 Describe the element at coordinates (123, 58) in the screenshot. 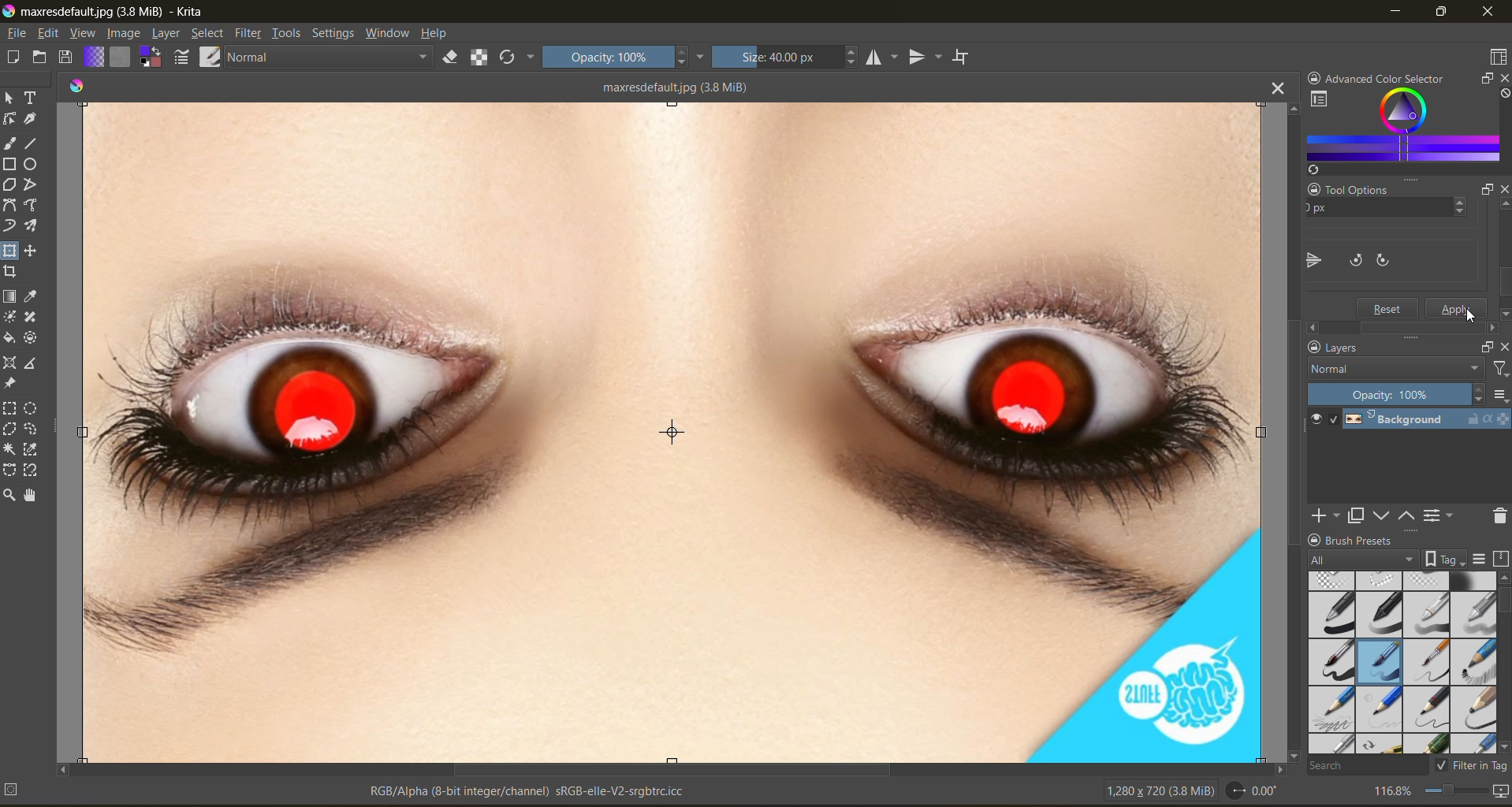

I see `fill patterns` at that location.